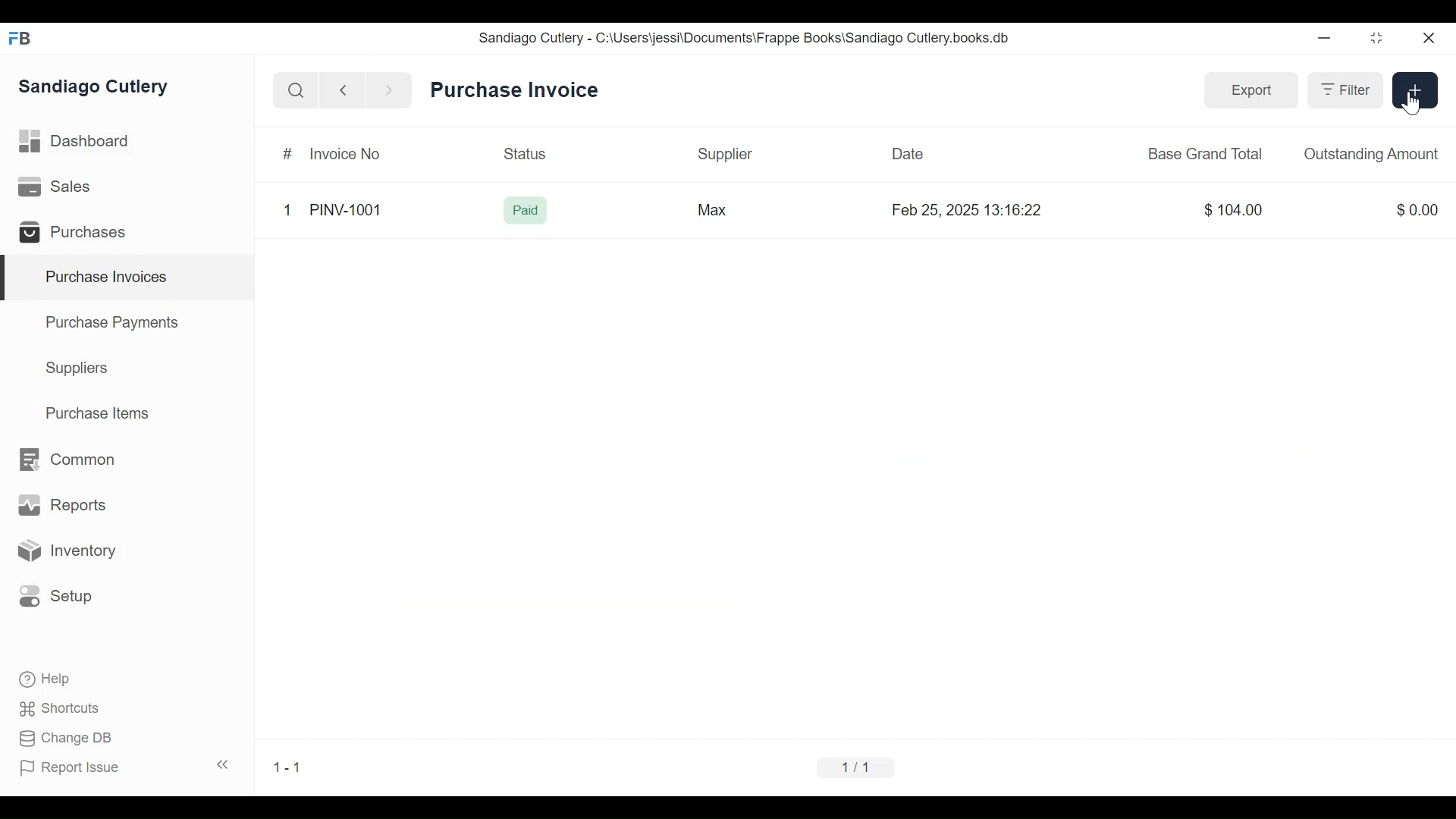 The image size is (1456, 819). I want to click on Suppliers, so click(77, 369).